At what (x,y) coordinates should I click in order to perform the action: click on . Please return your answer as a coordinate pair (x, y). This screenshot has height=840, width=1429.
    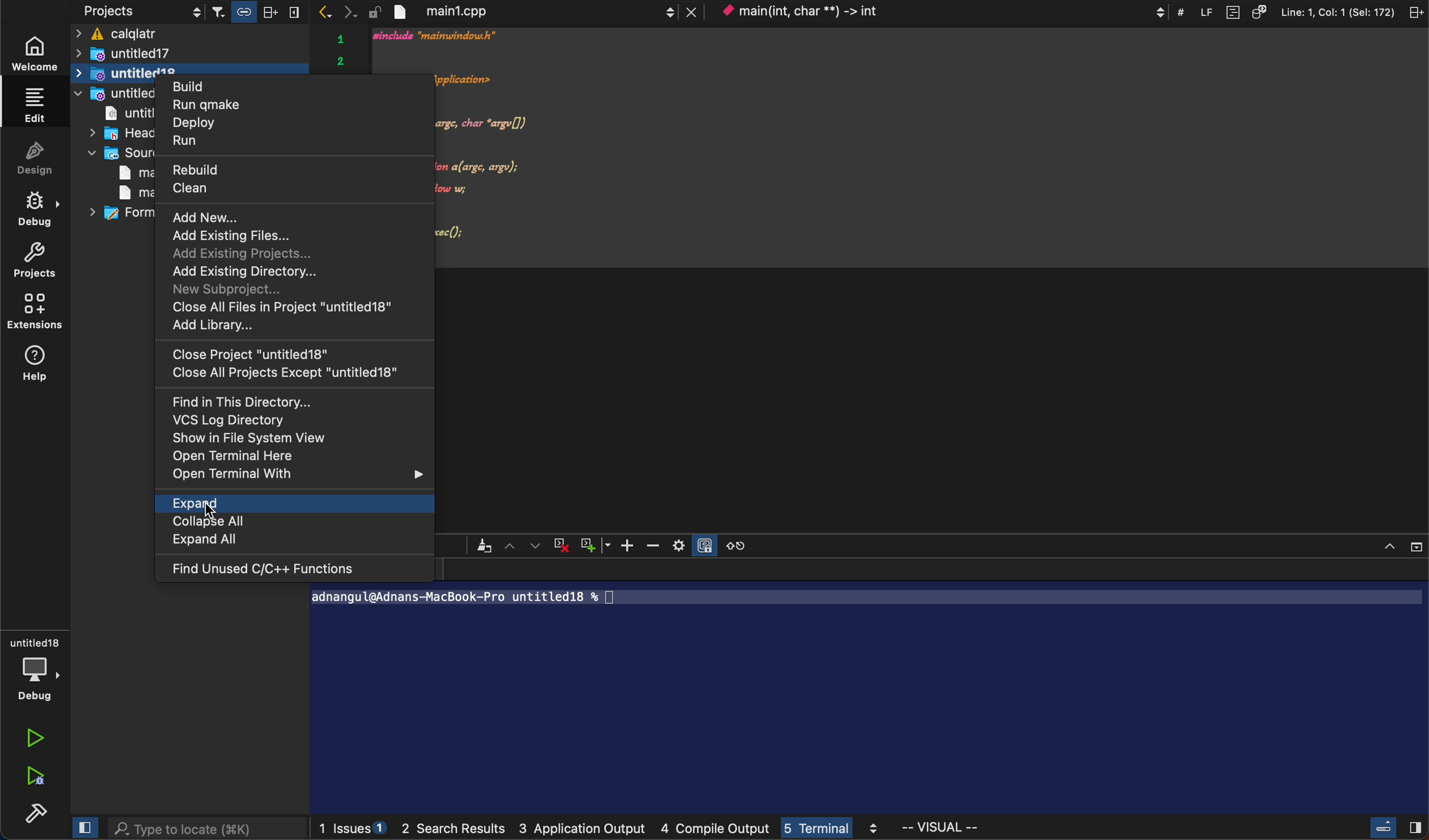
    Looking at the image, I should click on (488, 546).